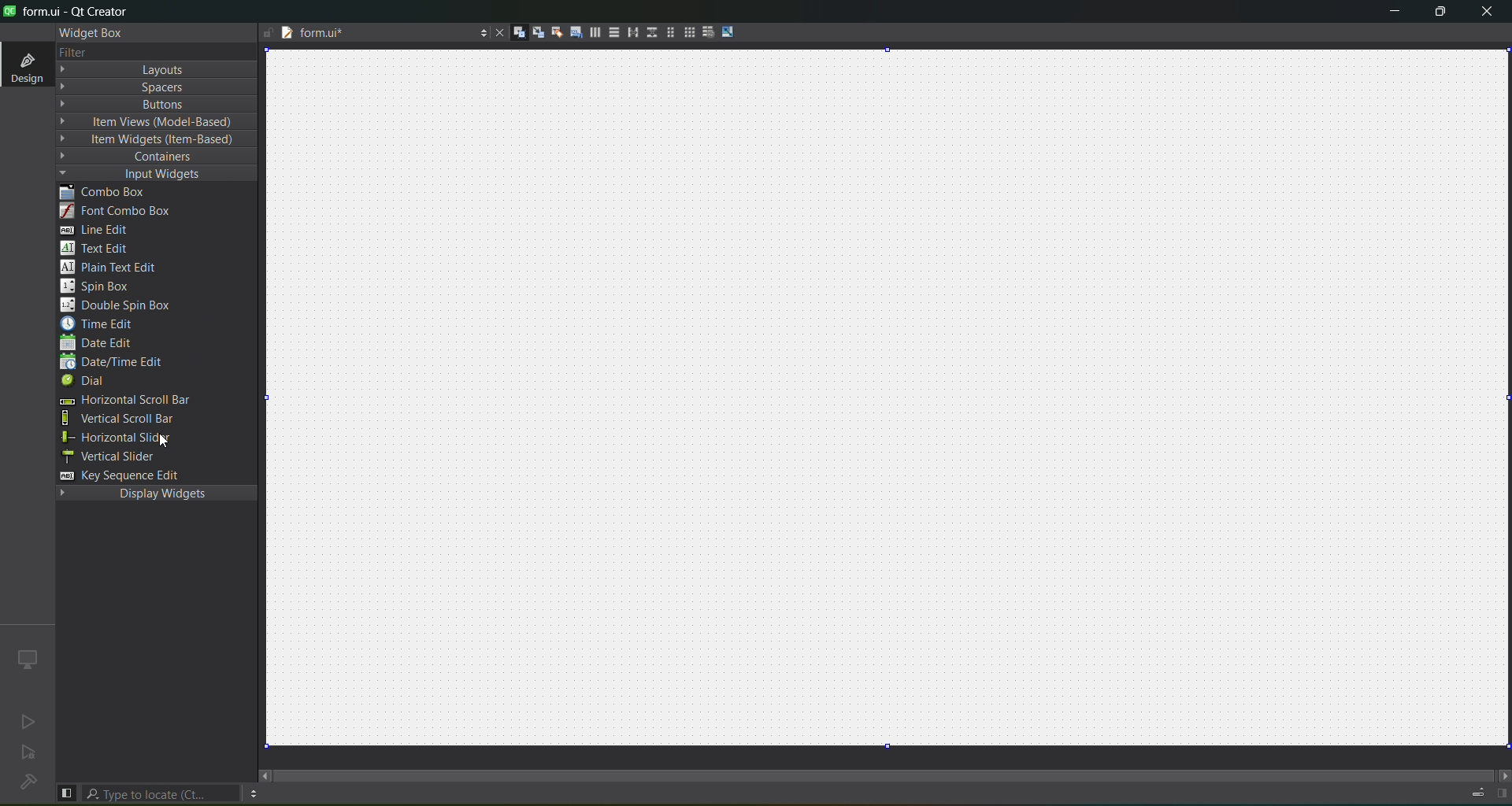 The width and height of the screenshot is (1512, 806). What do you see at coordinates (123, 438) in the screenshot?
I see `horizontal slider` at bounding box center [123, 438].